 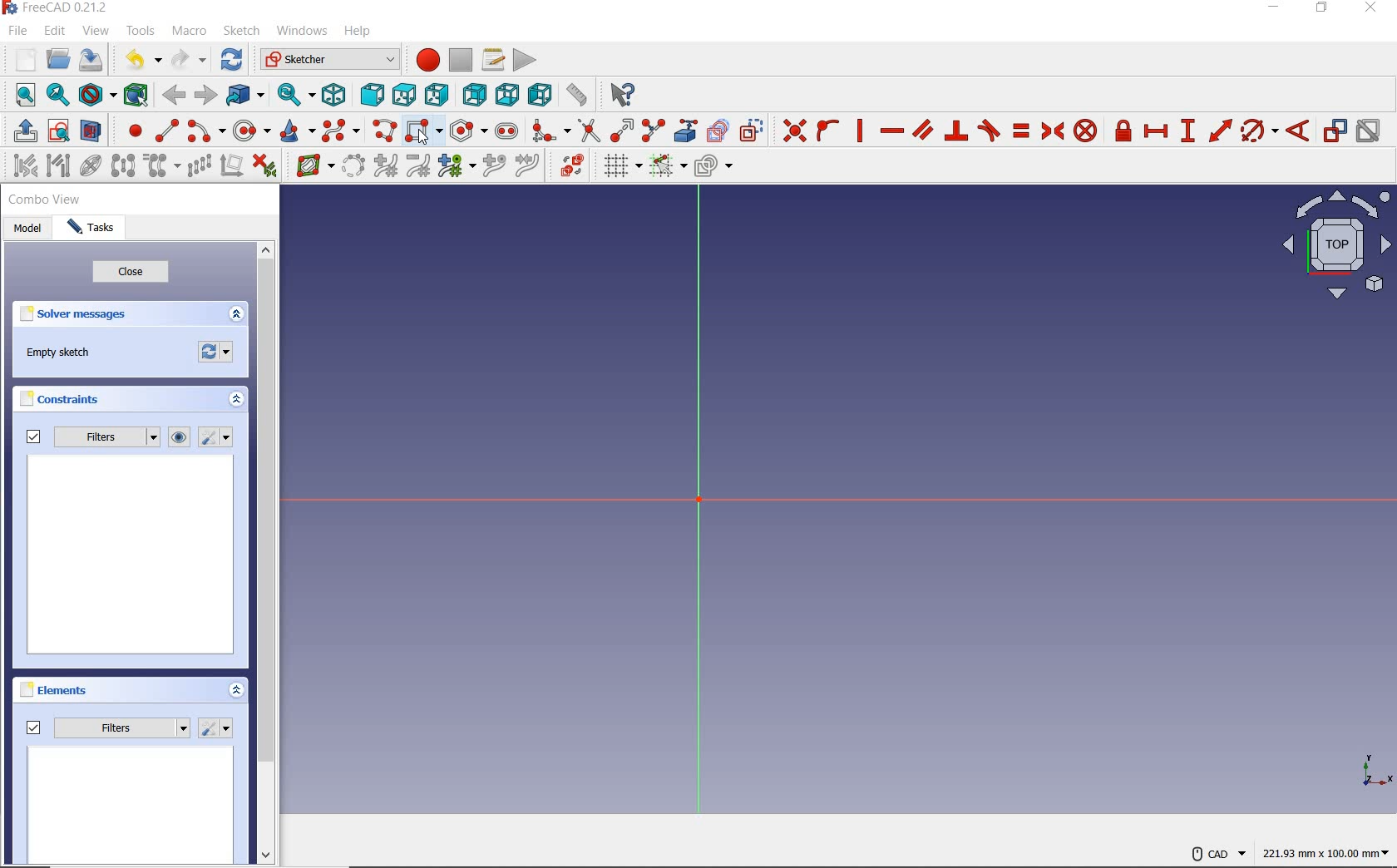 What do you see at coordinates (236, 314) in the screenshot?
I see `expand` at bounding box center [236, 314].